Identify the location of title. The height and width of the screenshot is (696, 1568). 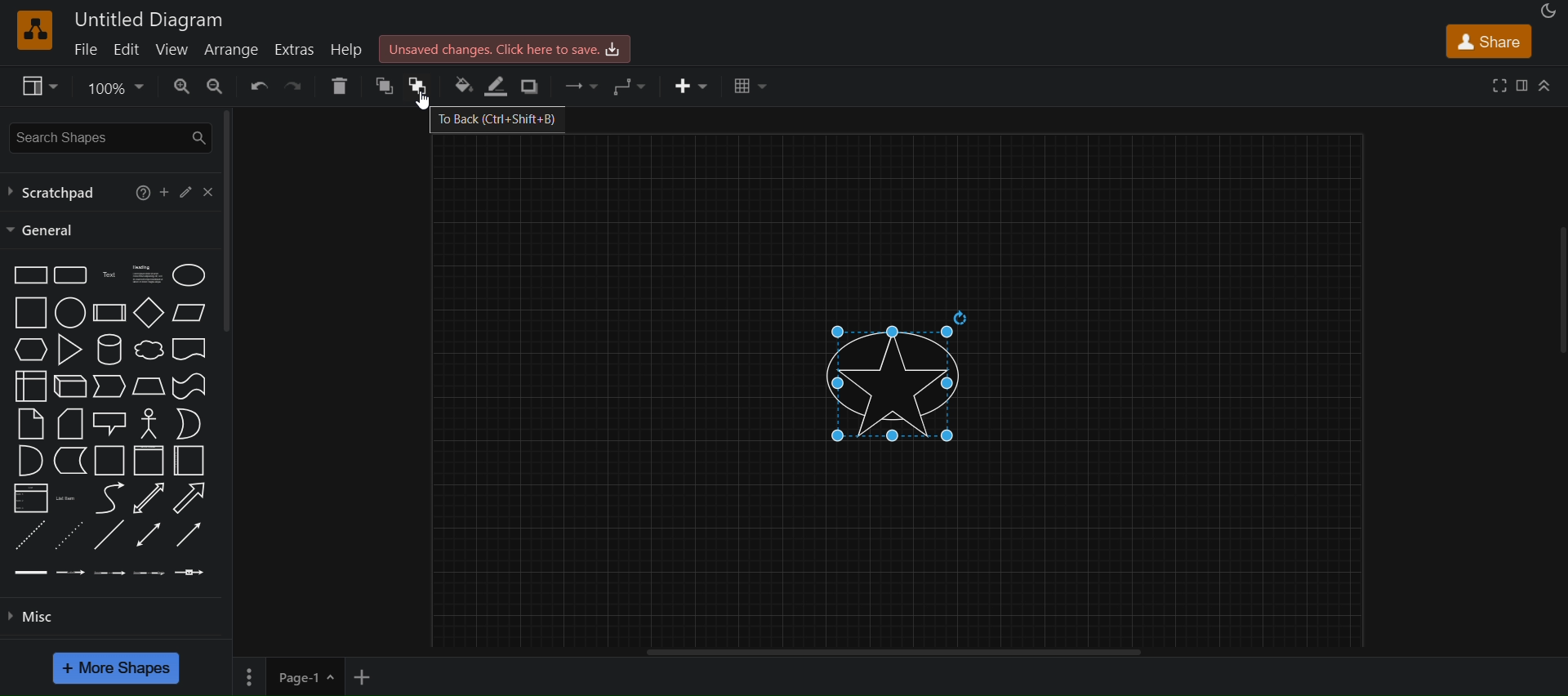
(149, 20).